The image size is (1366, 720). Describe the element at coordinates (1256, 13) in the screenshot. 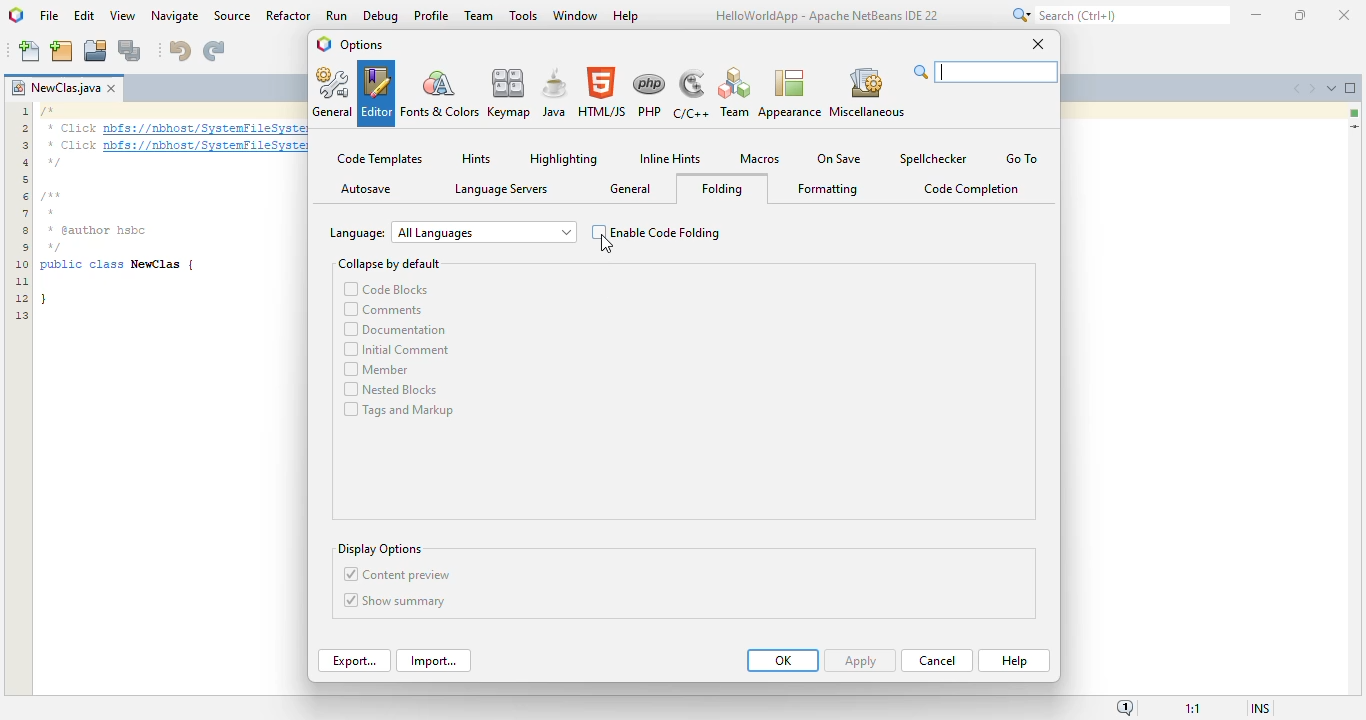

I see `minimize` at that location.